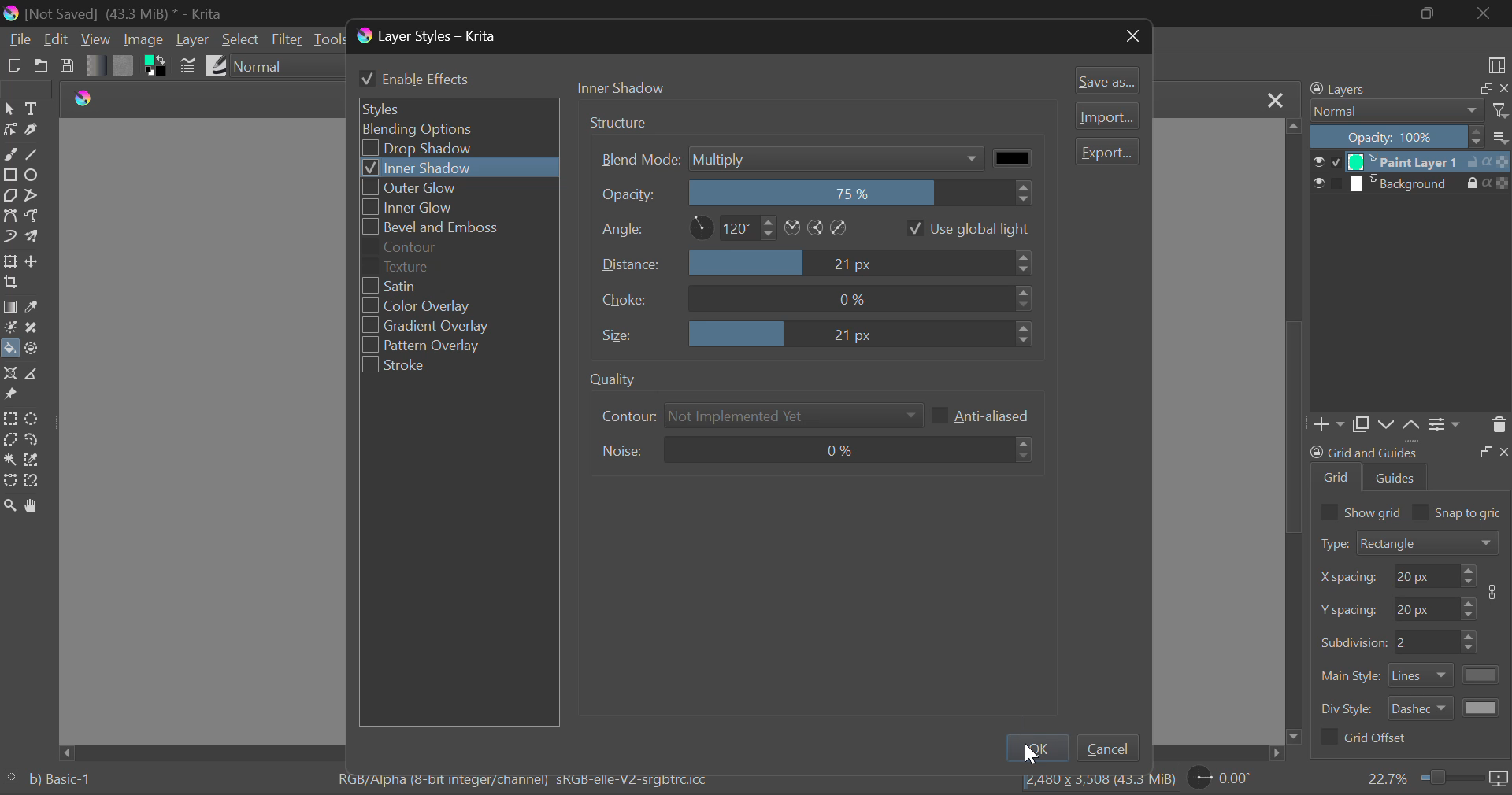 The height and width of the screenshot is (795, 1512). I want to click on Multibrush Tool, so click(35, 238).